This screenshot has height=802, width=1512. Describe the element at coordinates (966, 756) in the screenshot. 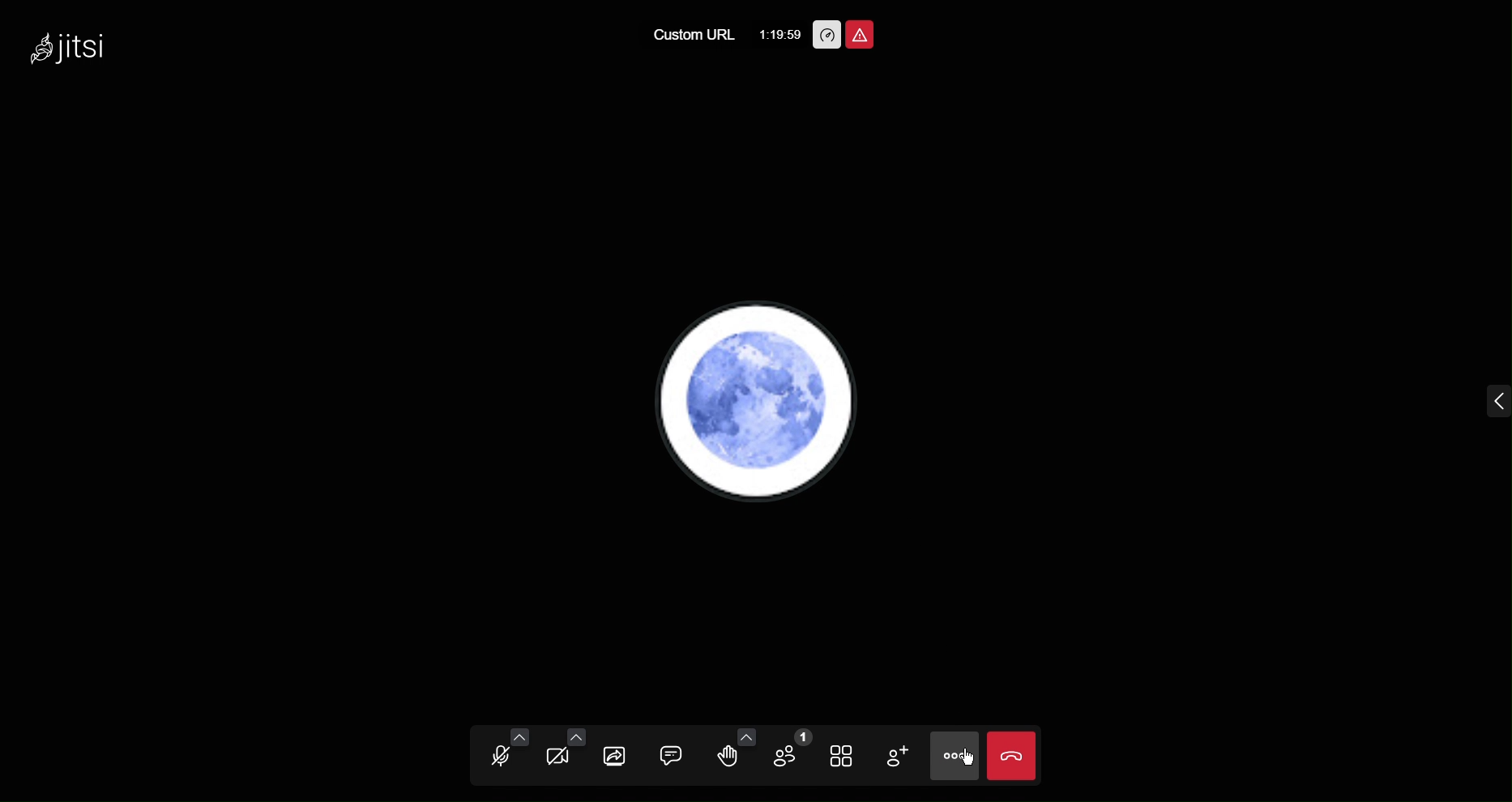

I see `cursor` at that location.